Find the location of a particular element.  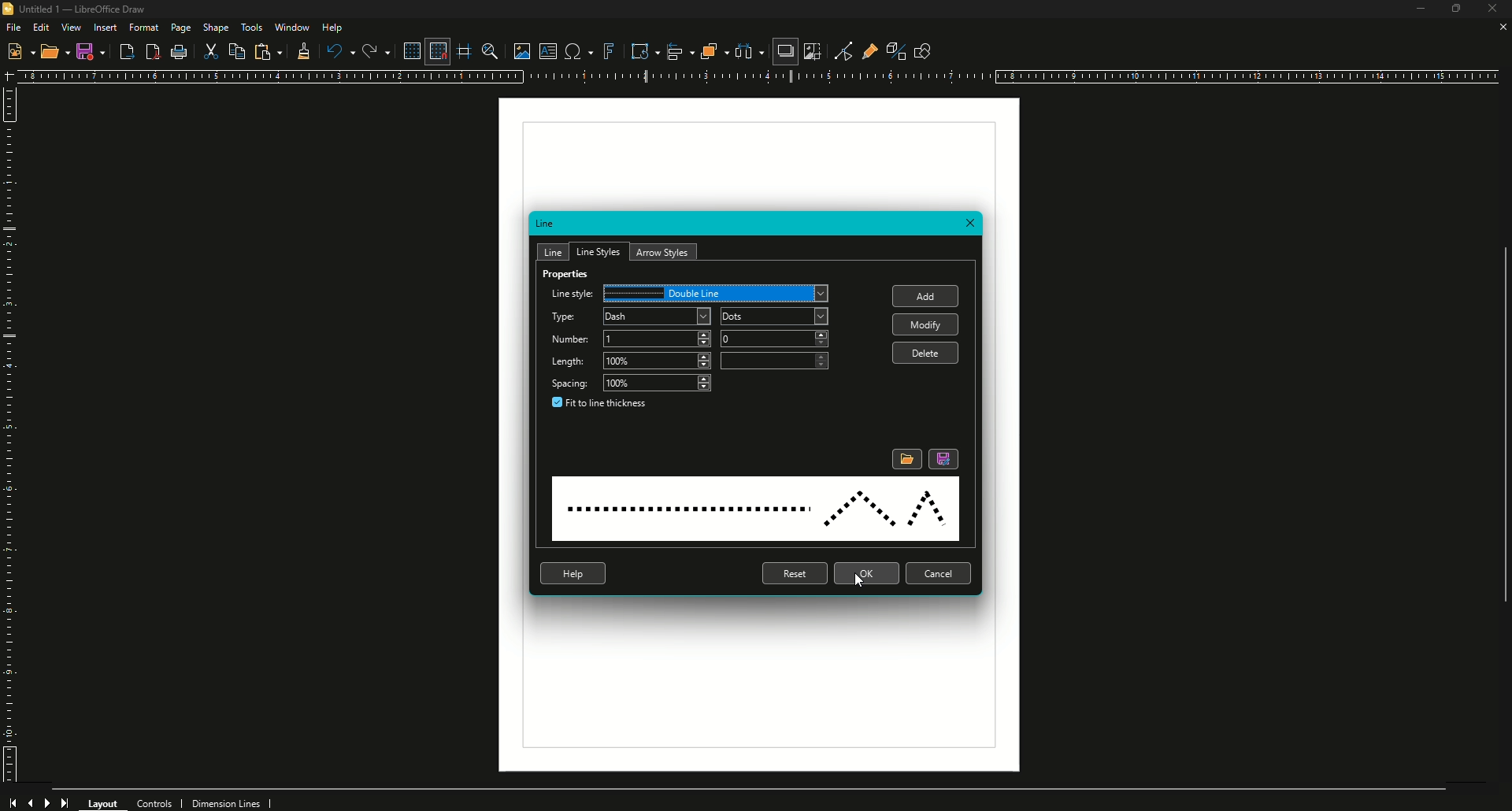

Show Gluepoint Functions is located at coordinates (865, 50).